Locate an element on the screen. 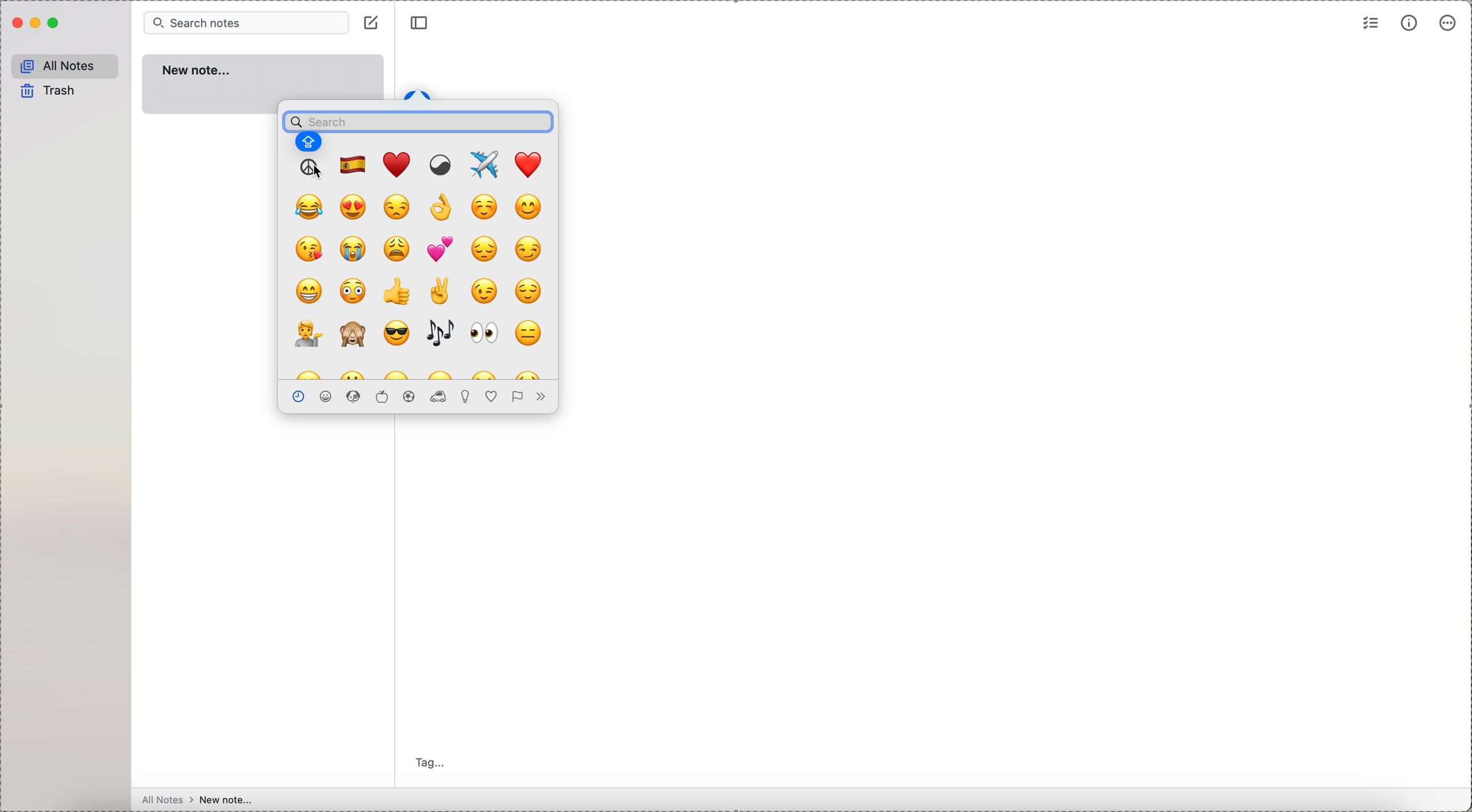 The width and height of the screenshot is (1472, 812). emoji is located at coordinates (527, 293).